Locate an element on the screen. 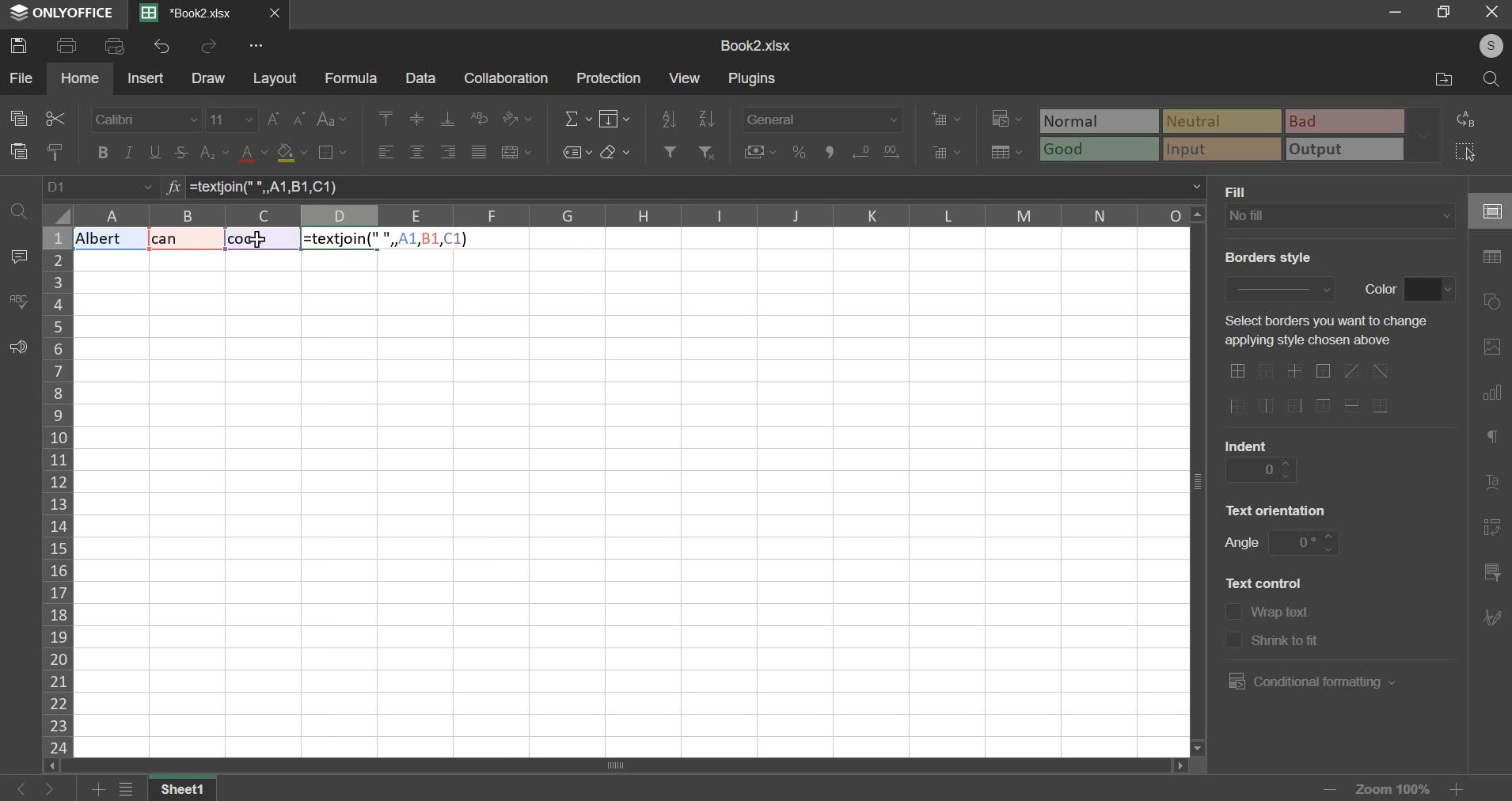  number format is located at coordinates (822, 117).